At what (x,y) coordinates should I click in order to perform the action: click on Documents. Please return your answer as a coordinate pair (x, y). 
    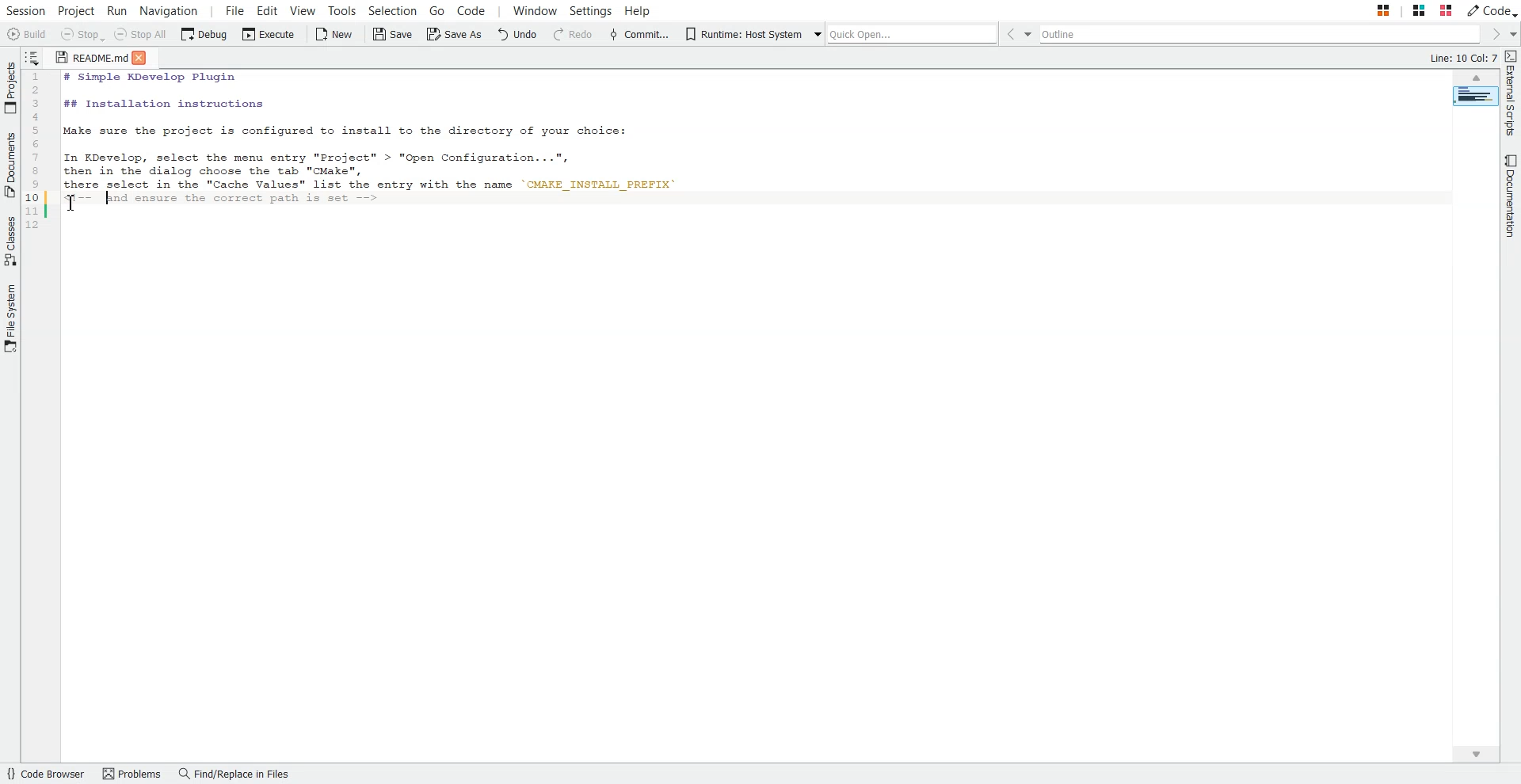
    Looking at the image, I should click on (10, 165).